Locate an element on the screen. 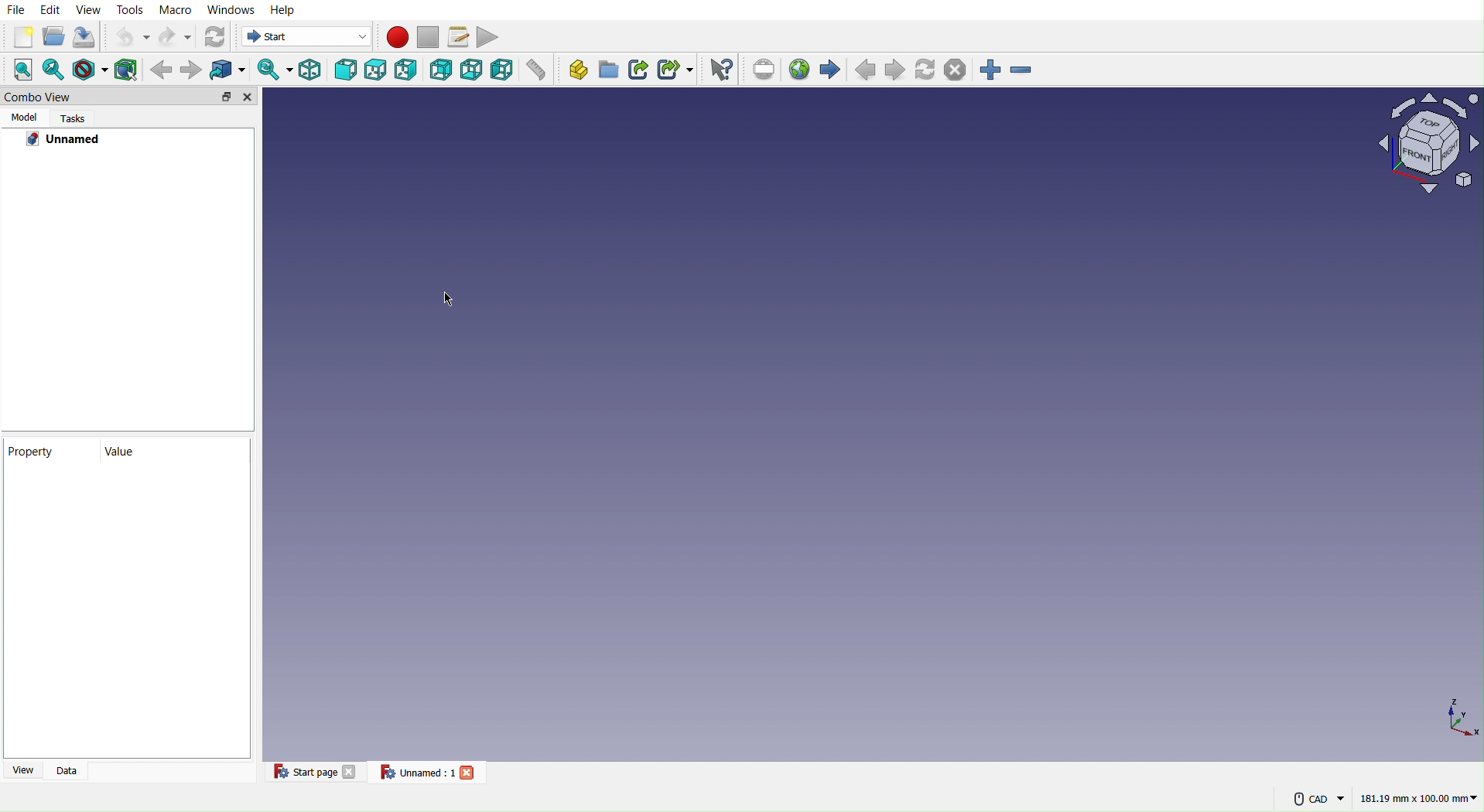 Image resolution: width=1484 pixels, height=812 pixels. Fit selected content to screen is located at coordinates (56, 71).